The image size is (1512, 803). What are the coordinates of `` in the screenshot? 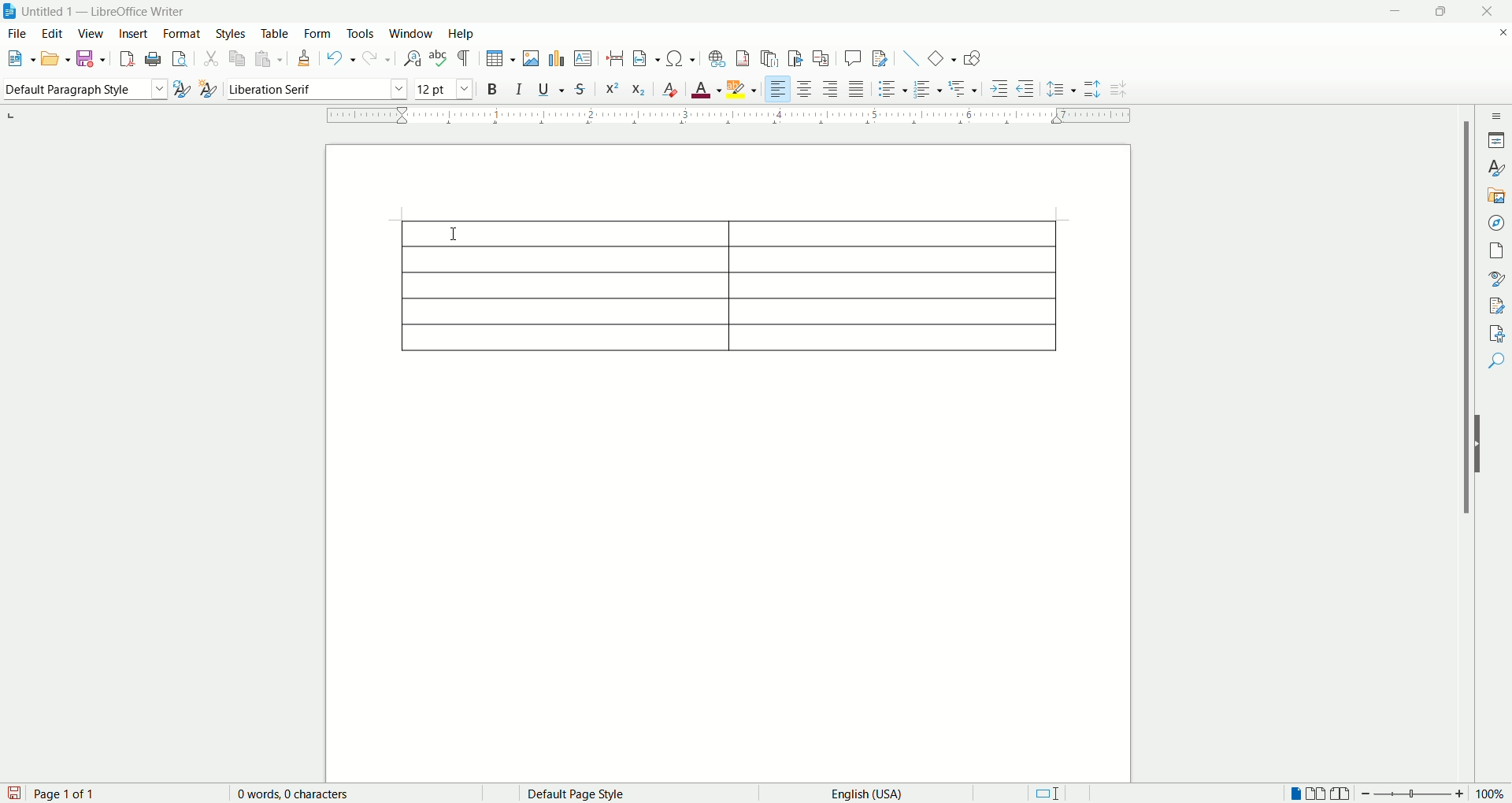 It's located at (965, 87).